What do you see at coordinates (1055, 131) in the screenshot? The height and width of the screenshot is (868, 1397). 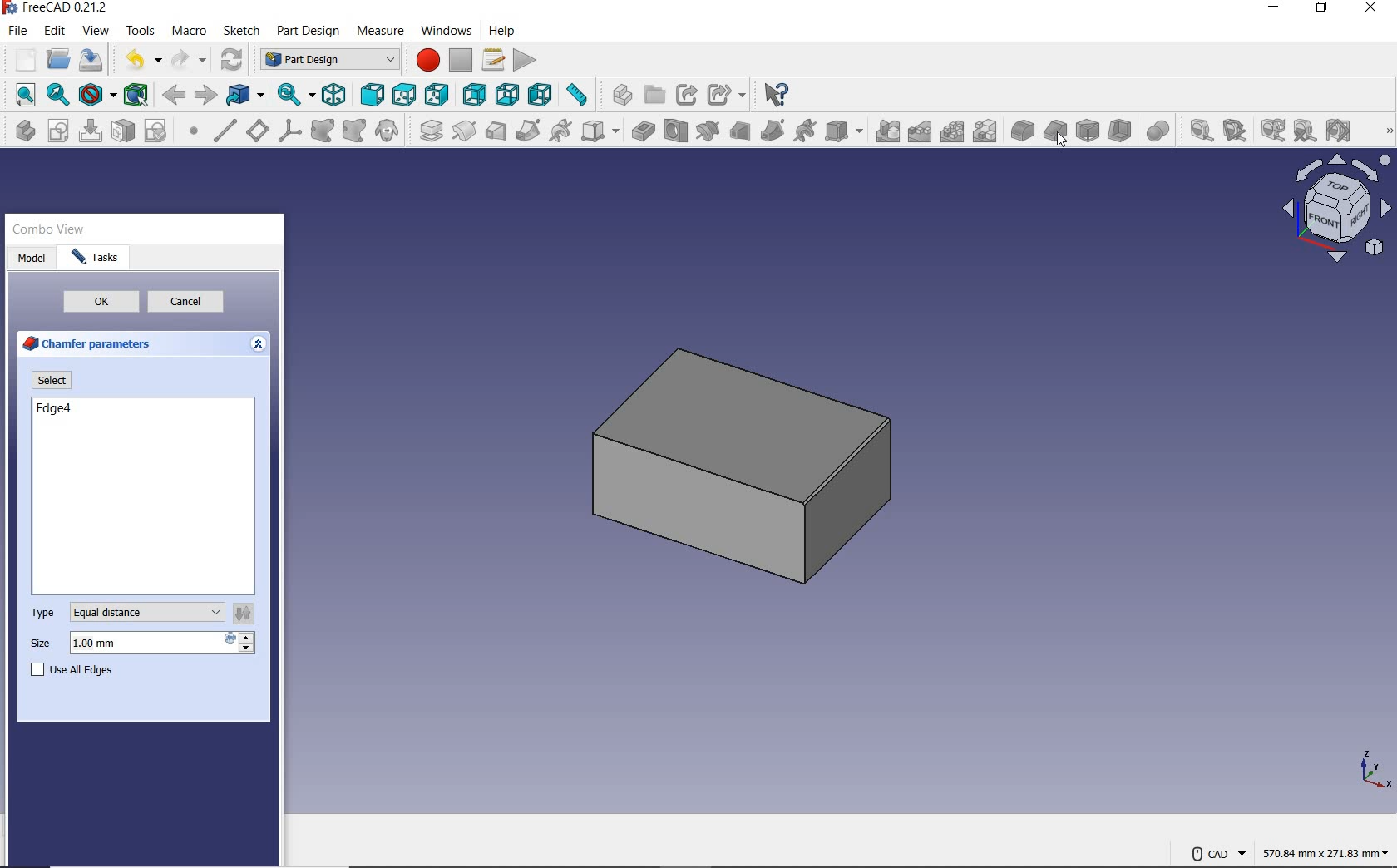 I see `chamfer` at bounding box center [1055, 131].